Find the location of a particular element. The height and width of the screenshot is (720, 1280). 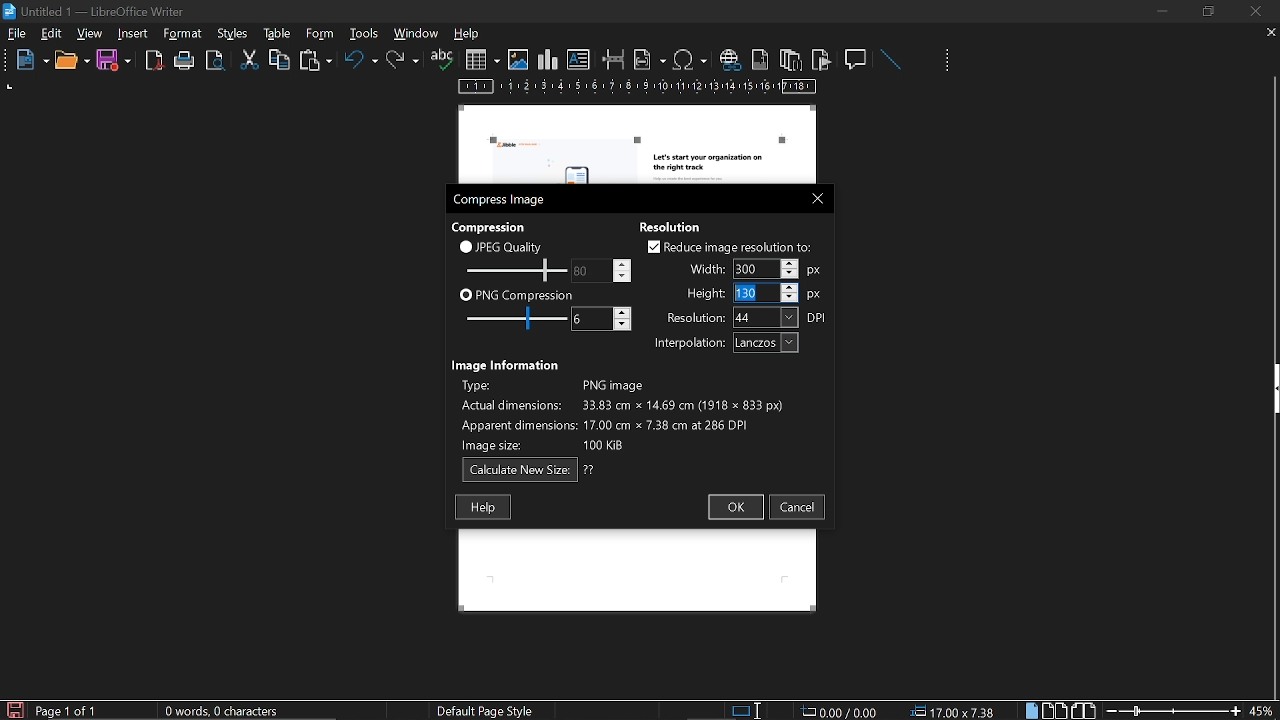

resolution is located at coordinates (747, 317).